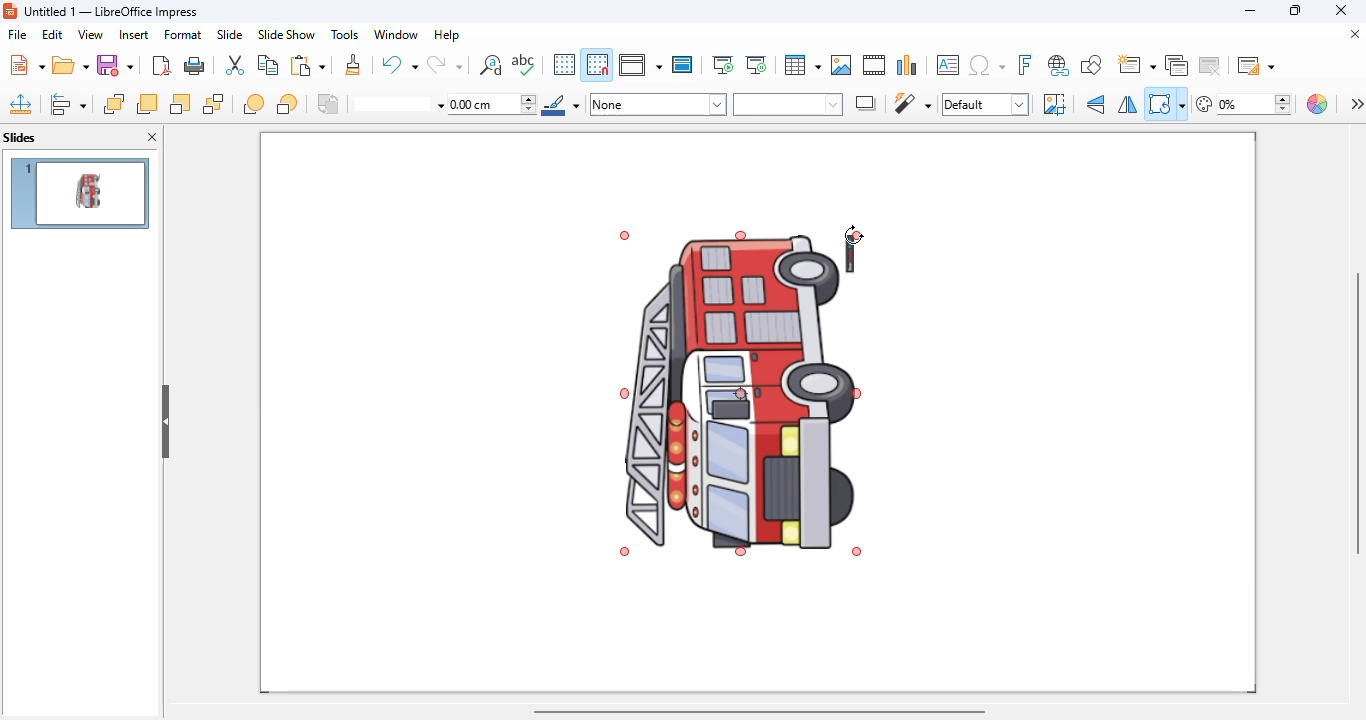 Image resolution: width=1366 pixels, height=720 pixels. What do you see at coordinates (1059, 65) in the screenshot?
I see `insert hyperlink` at bounding box center [1059, 65].